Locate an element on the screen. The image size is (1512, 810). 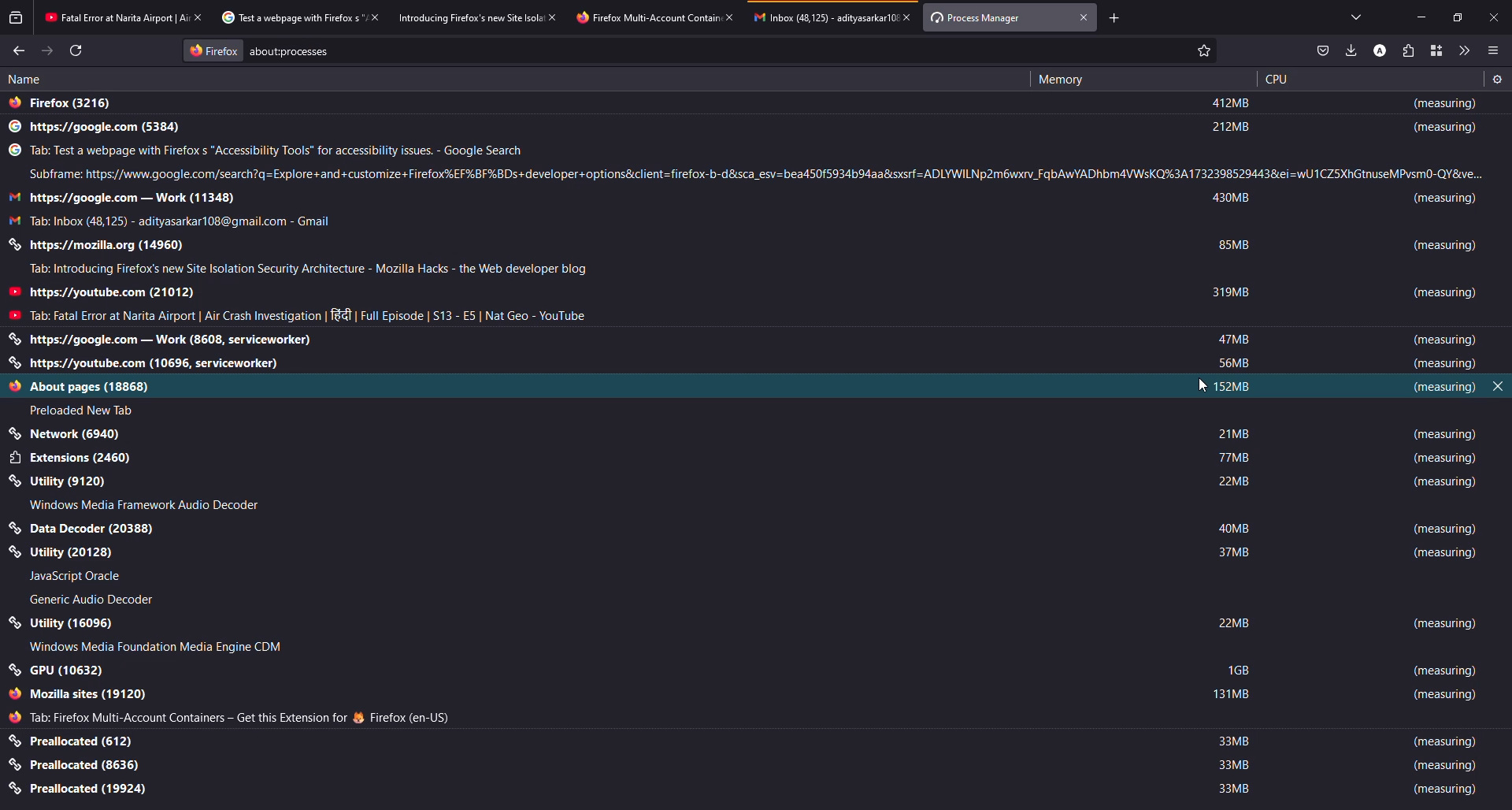
close is located at coordinates (378, 17).